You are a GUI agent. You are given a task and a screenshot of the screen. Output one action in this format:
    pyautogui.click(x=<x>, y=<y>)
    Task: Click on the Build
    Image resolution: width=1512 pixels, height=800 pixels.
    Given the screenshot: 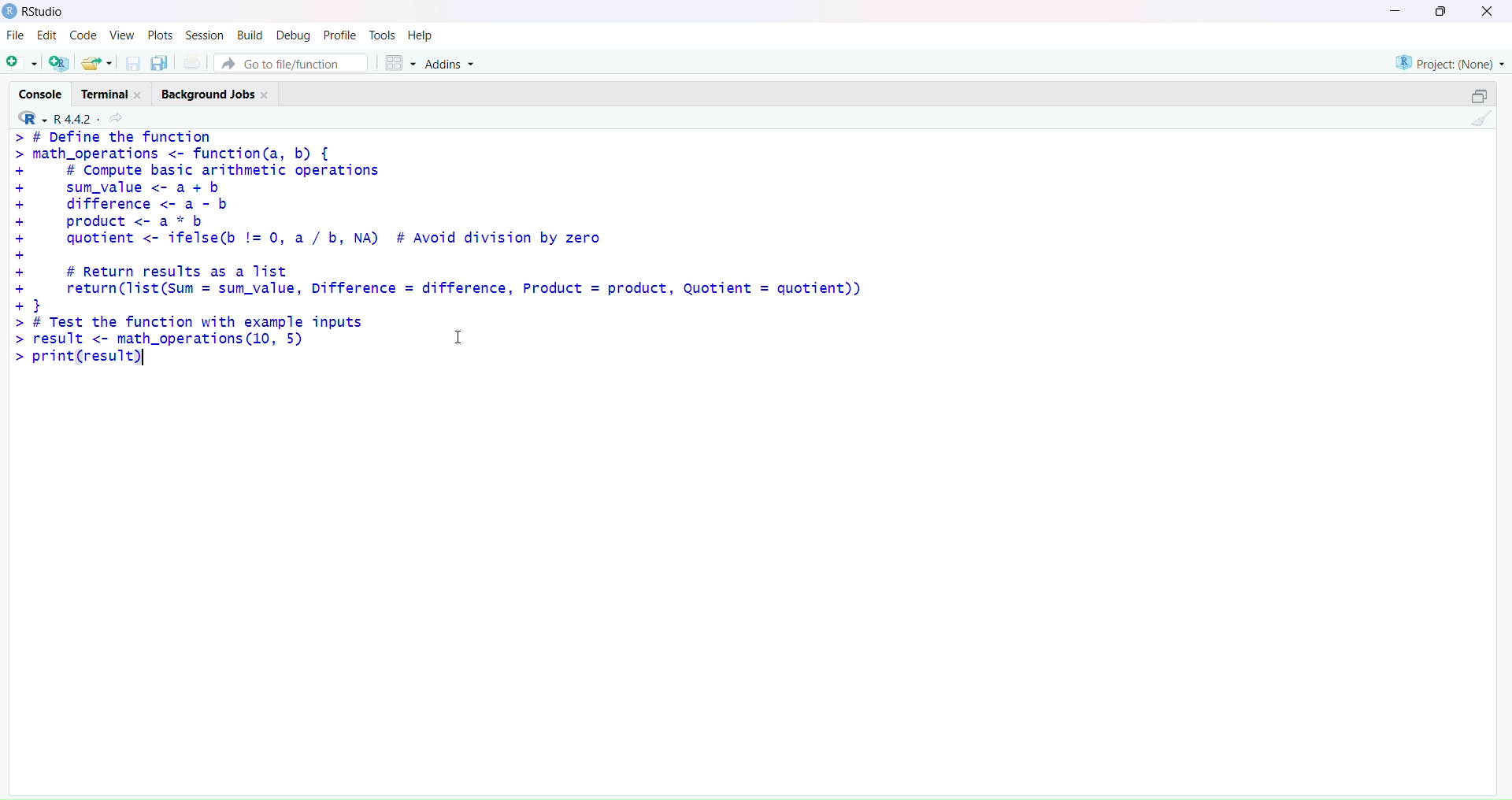 What is the action you would take?
    pyautogui.click(x=246, y=35)
    